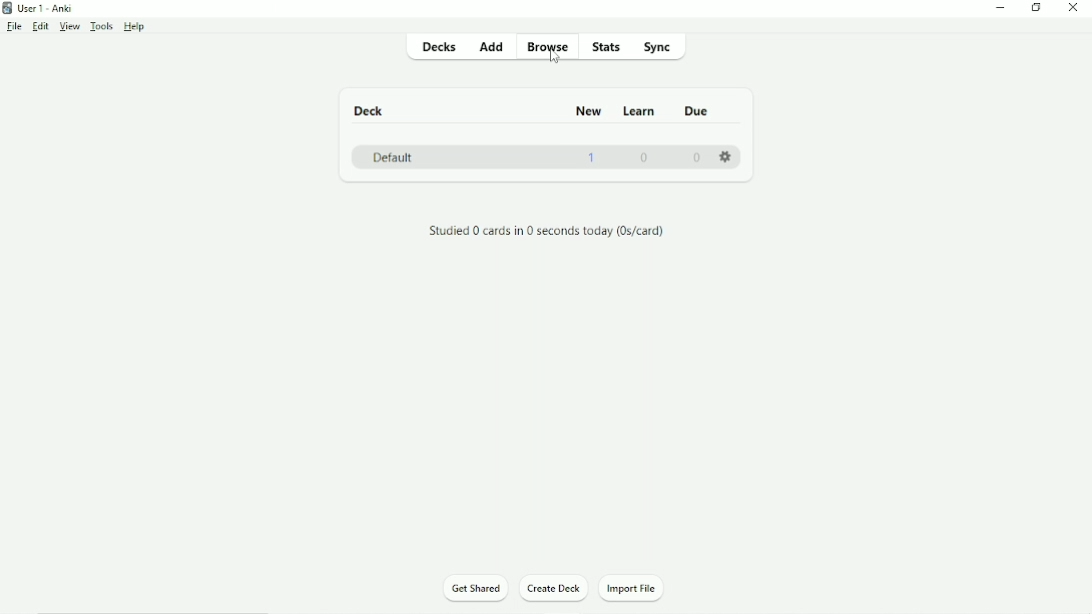 Image resolution: width=1092 pixels, height=614 pixels. What do you see at coordinates (554, 58) in the screenshot?
I see `cursor` at bounding box center [554, 58].